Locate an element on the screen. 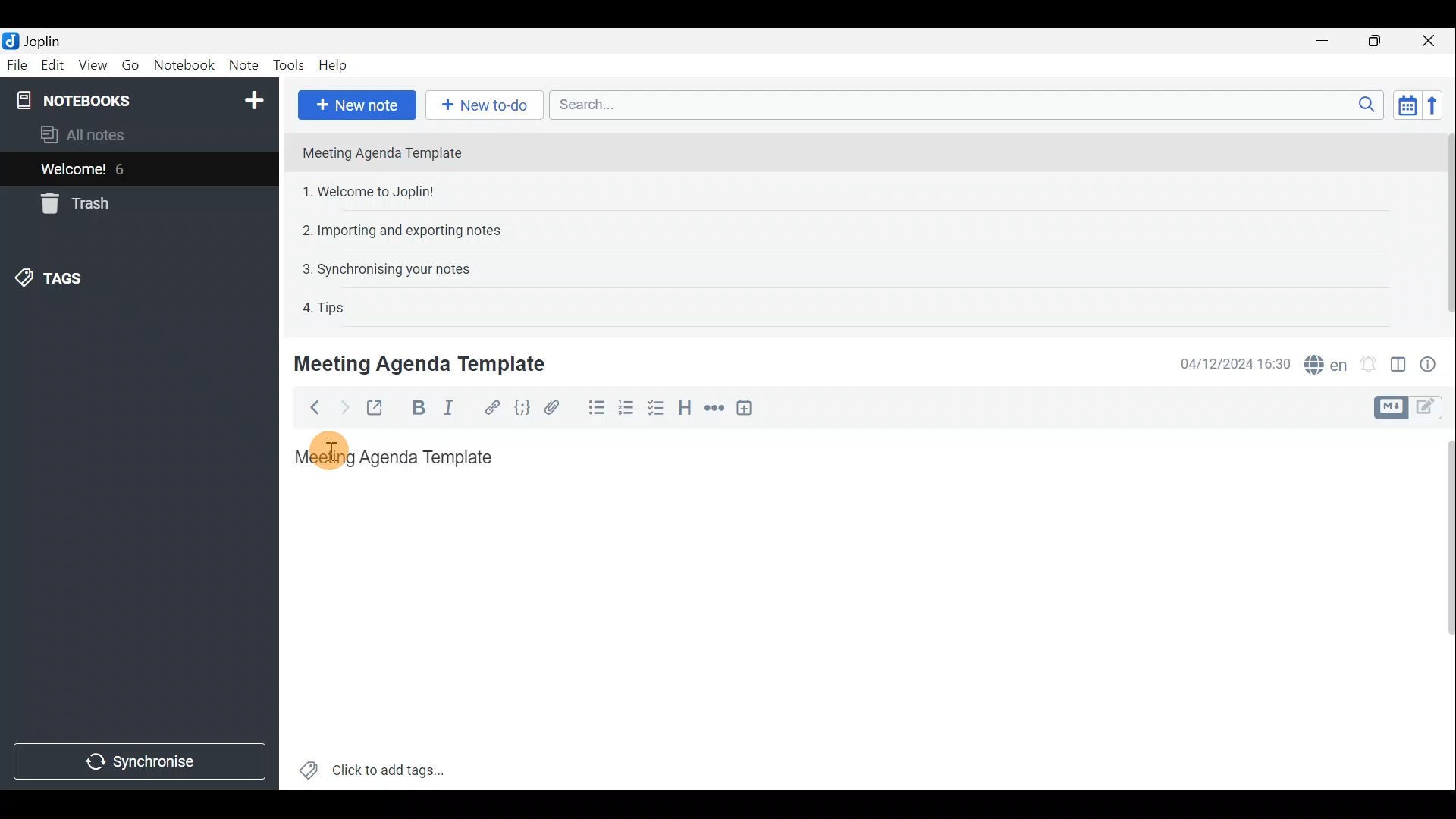 The image size is (1456, 819). Click to add tags is located at coordinates (393, 767).